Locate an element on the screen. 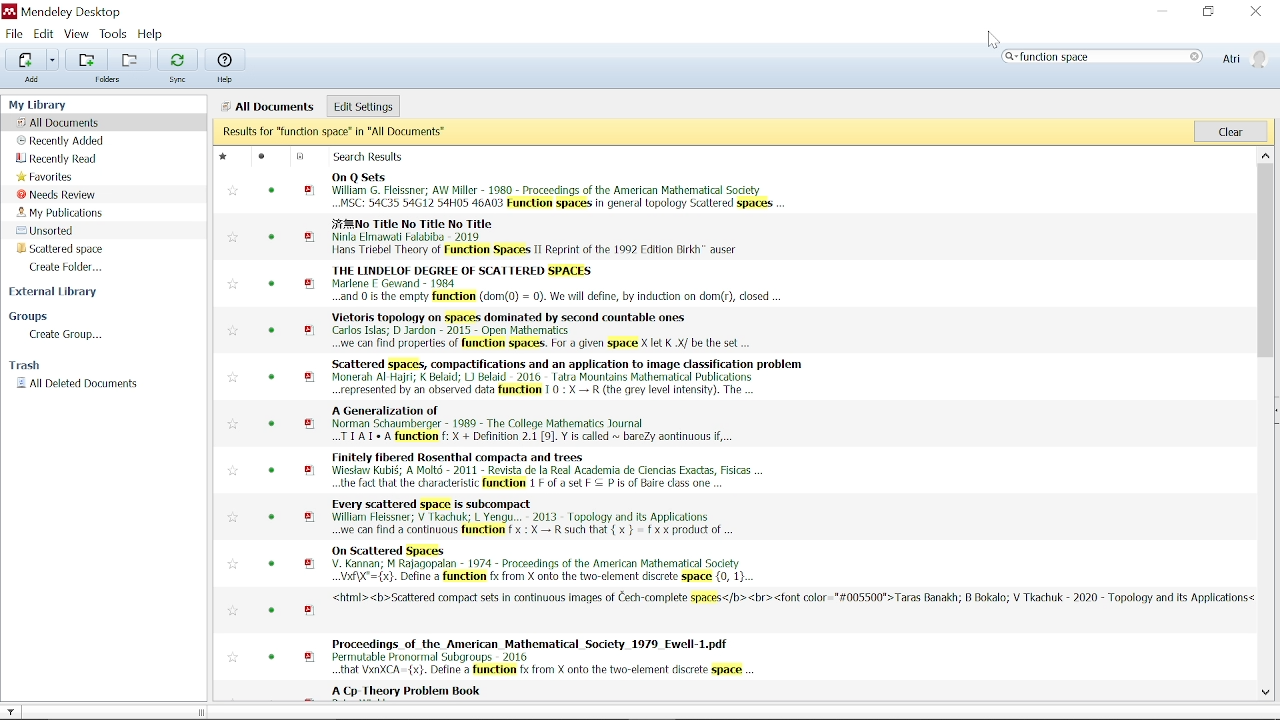 Image resolution: width=1280 pixels, height=720 pixels. Proceedings of the American Mathematical Society 1979 Ewell-1.pdf Permutable Pronormol Suboroups 2016at TCA eT, Defines RGREEiOR x from X onto the two-elemant discrete GH is located at coordinates (758, 656).